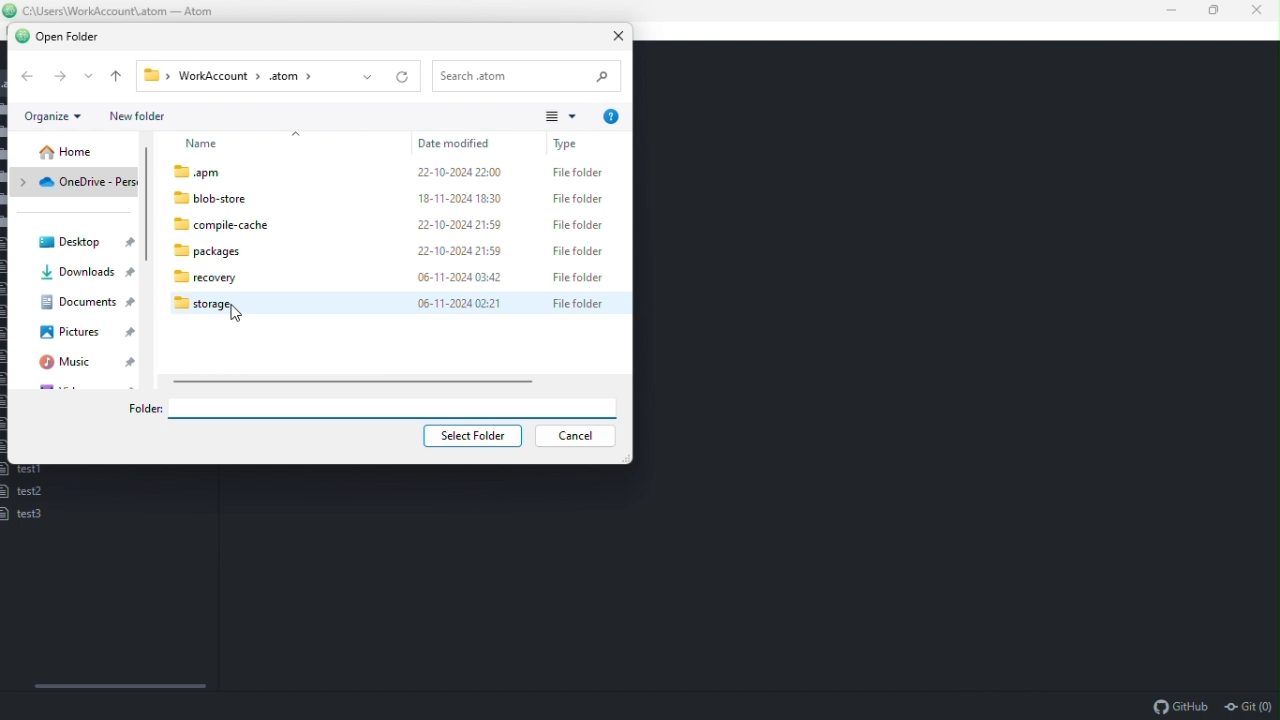 Image resolution: width=1280 pixels, height=720 pixels. I want to click on Type, so click(586, 143).